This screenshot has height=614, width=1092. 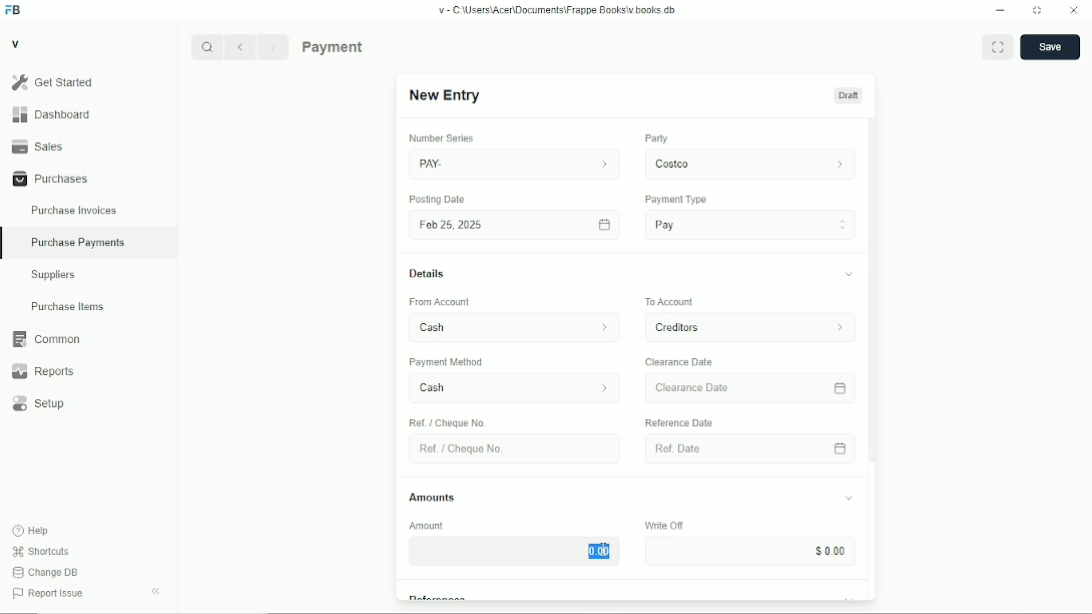 I want to click on Frappe Books logo, so click(x=12, y=10).